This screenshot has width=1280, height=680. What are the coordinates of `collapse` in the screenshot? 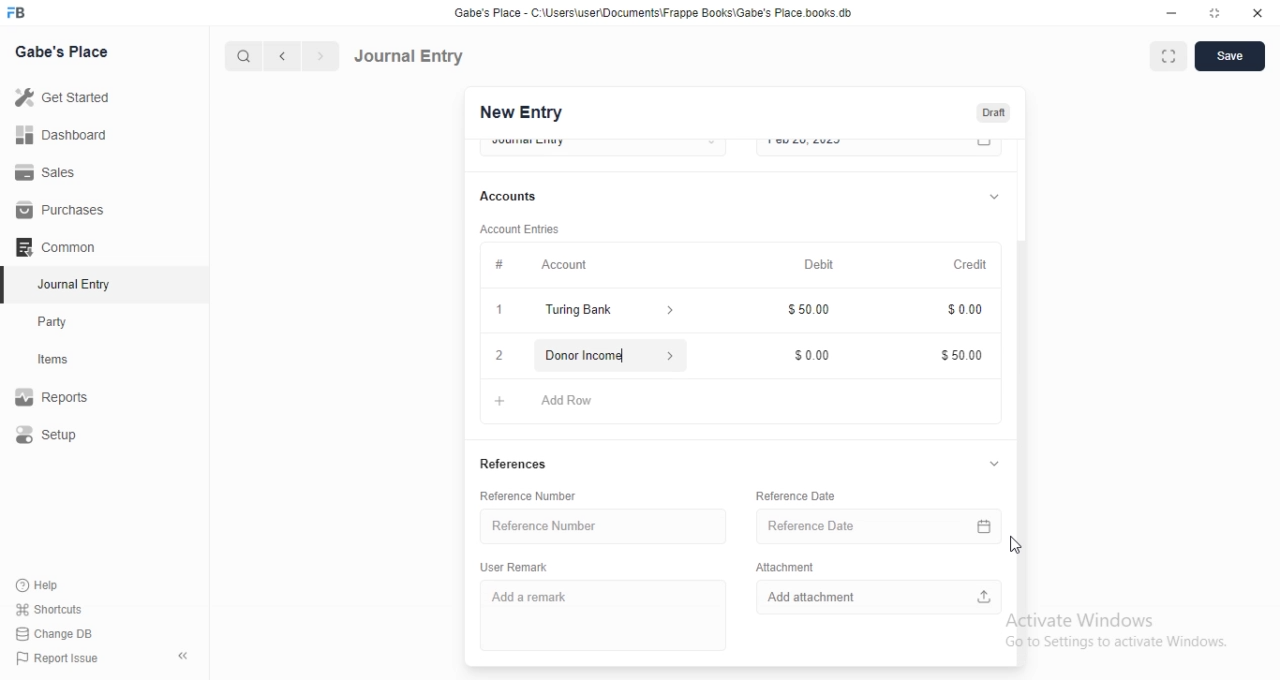 It's located at (994, 465).